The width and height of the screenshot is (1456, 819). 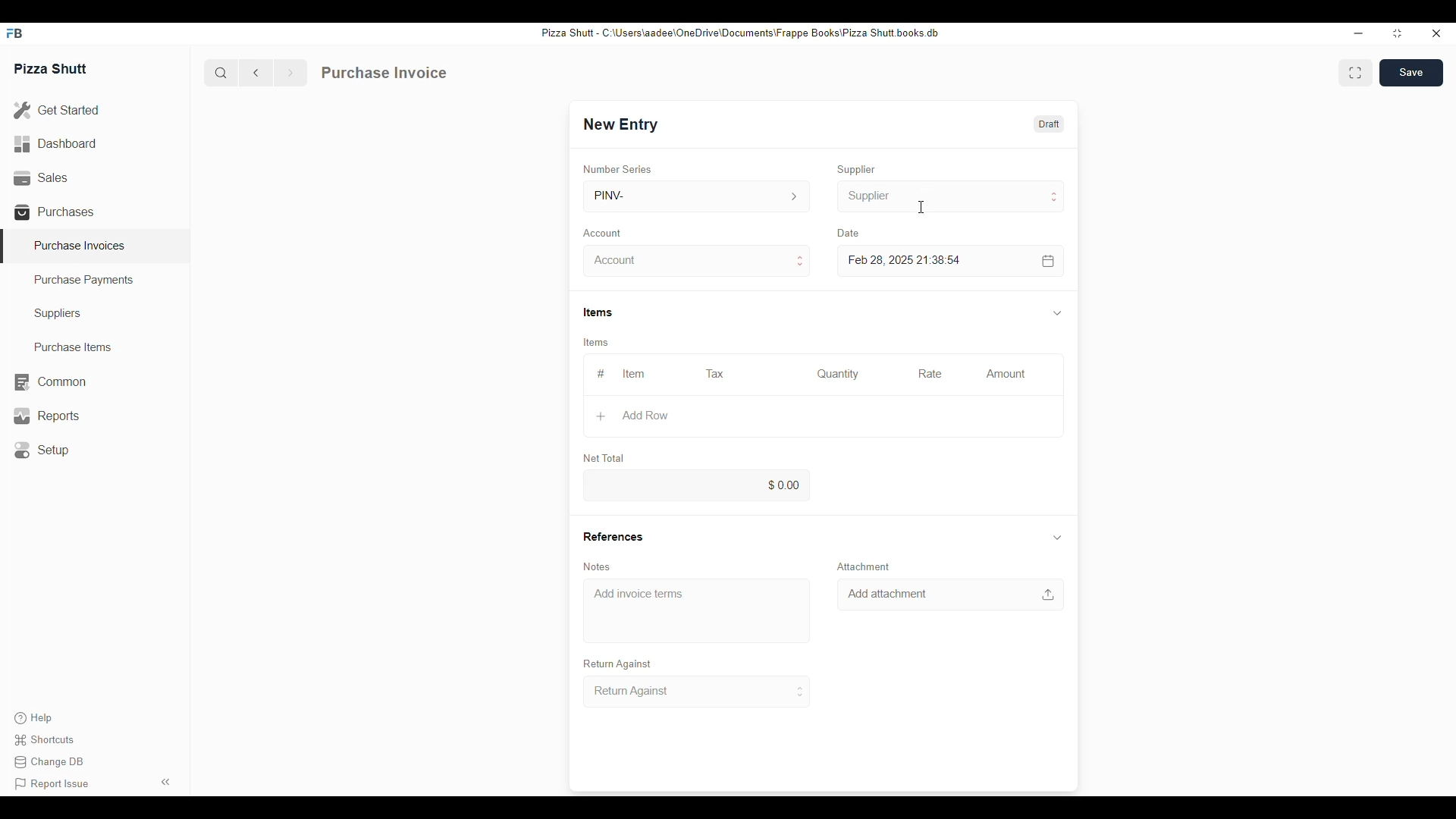 I want to click on Enlarge, so click(x=1356, y=73).